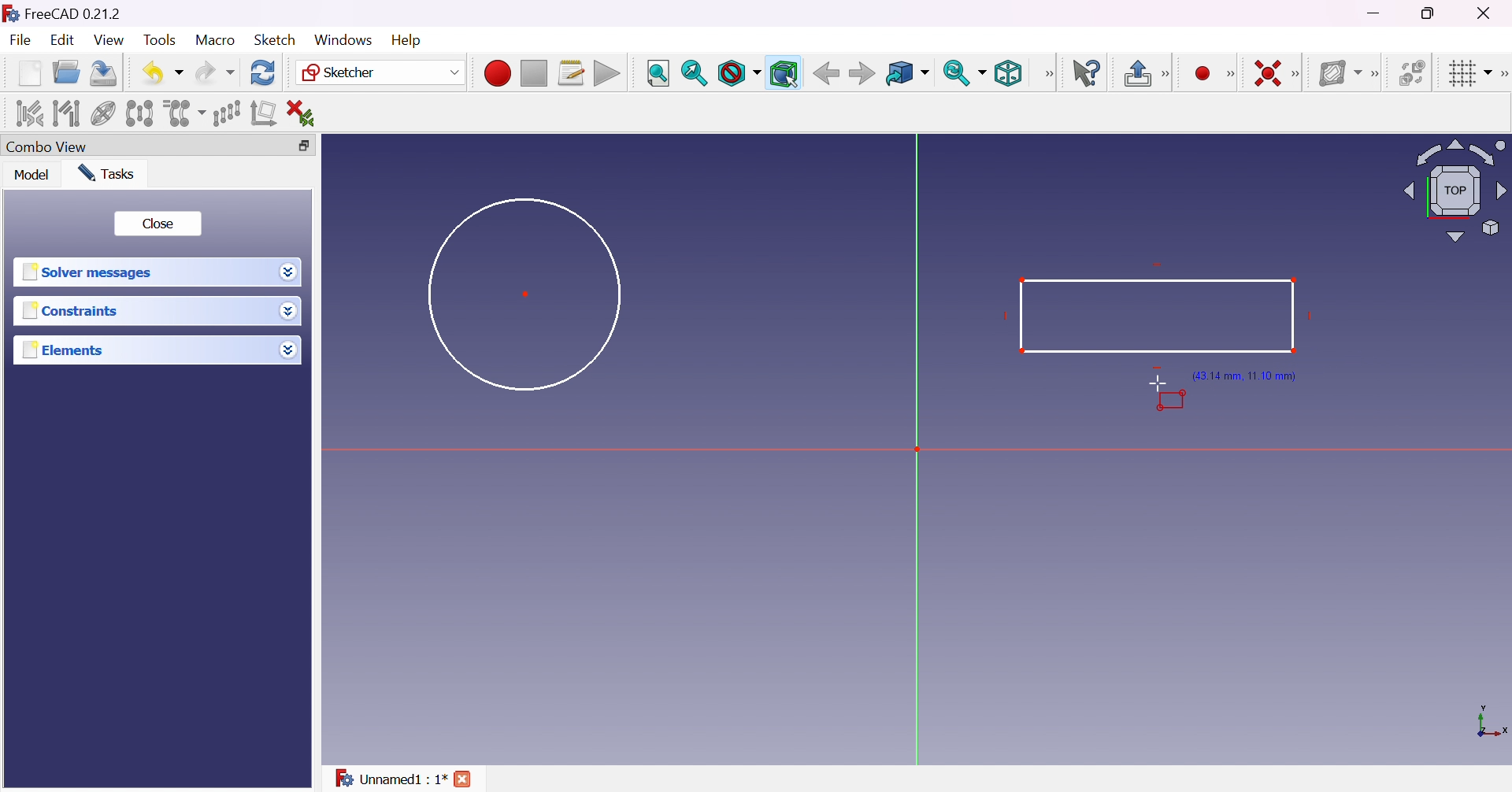  What do you see at coordinates (1430, 13) in the screenshot?
I see `Restore down` at bounding box center [1430, 13].